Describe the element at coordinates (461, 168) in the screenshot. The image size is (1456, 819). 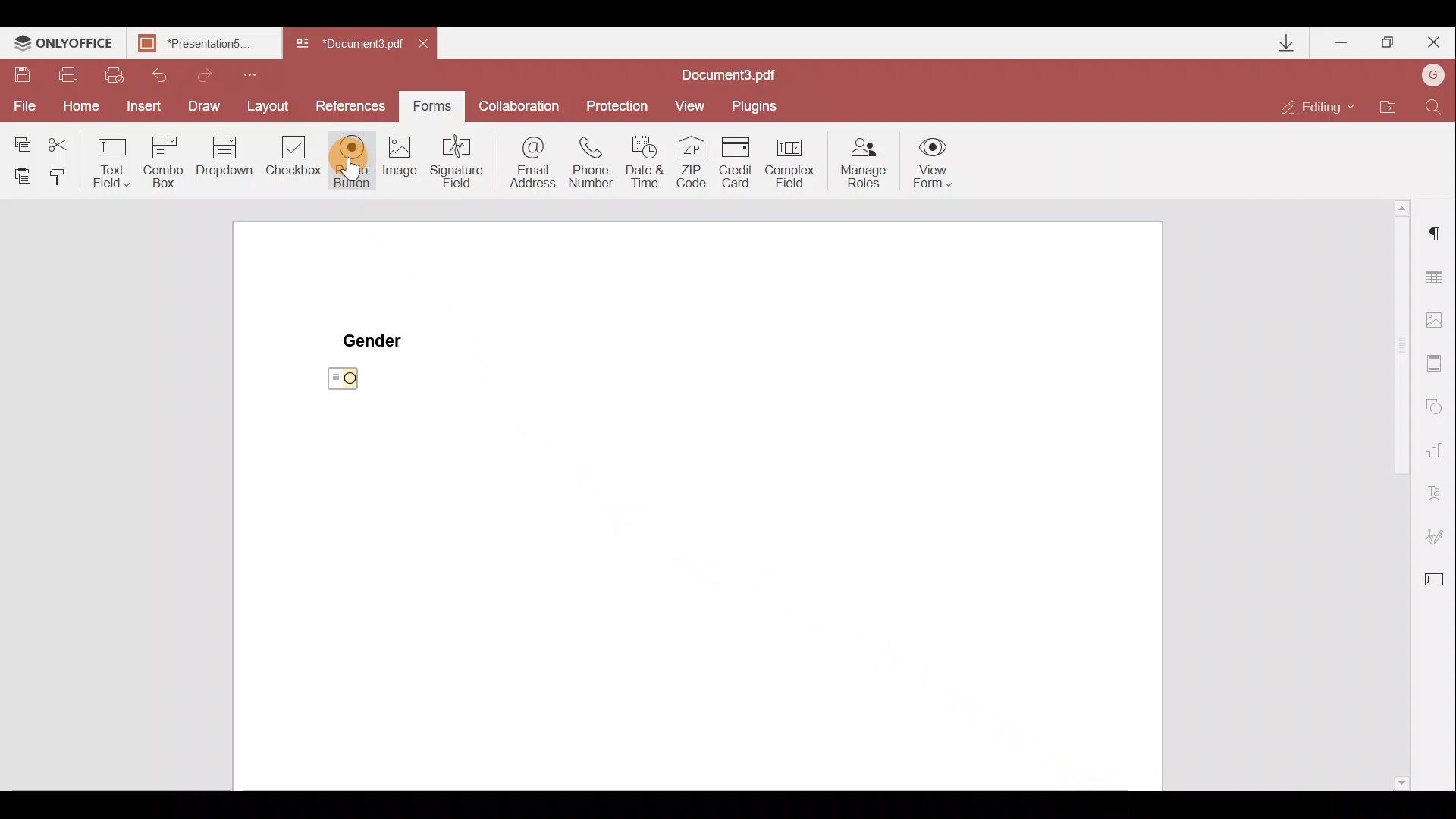
I see `Signature field` at that location.